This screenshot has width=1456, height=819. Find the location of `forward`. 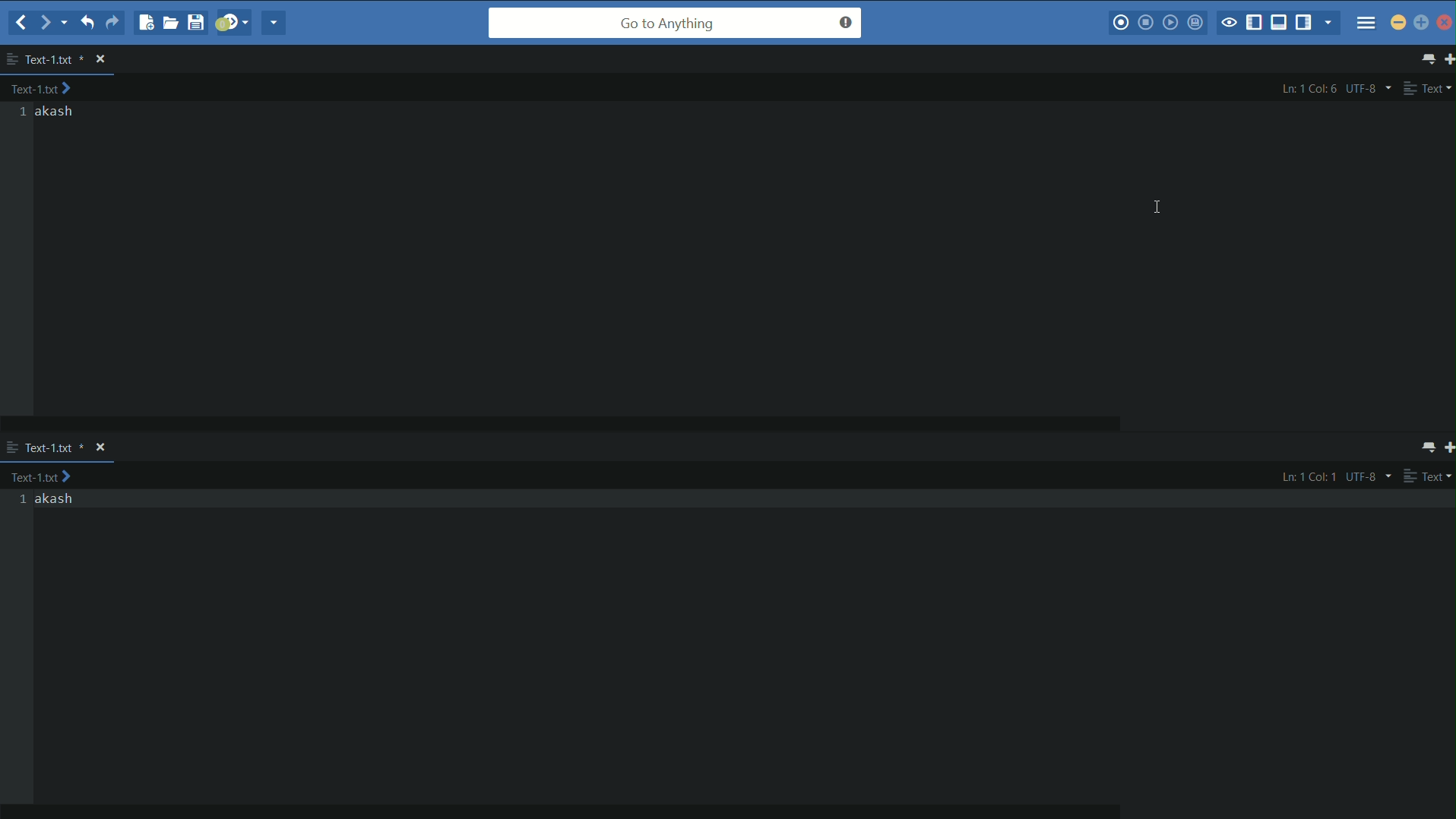

forward is located at coordinates (53, 23).